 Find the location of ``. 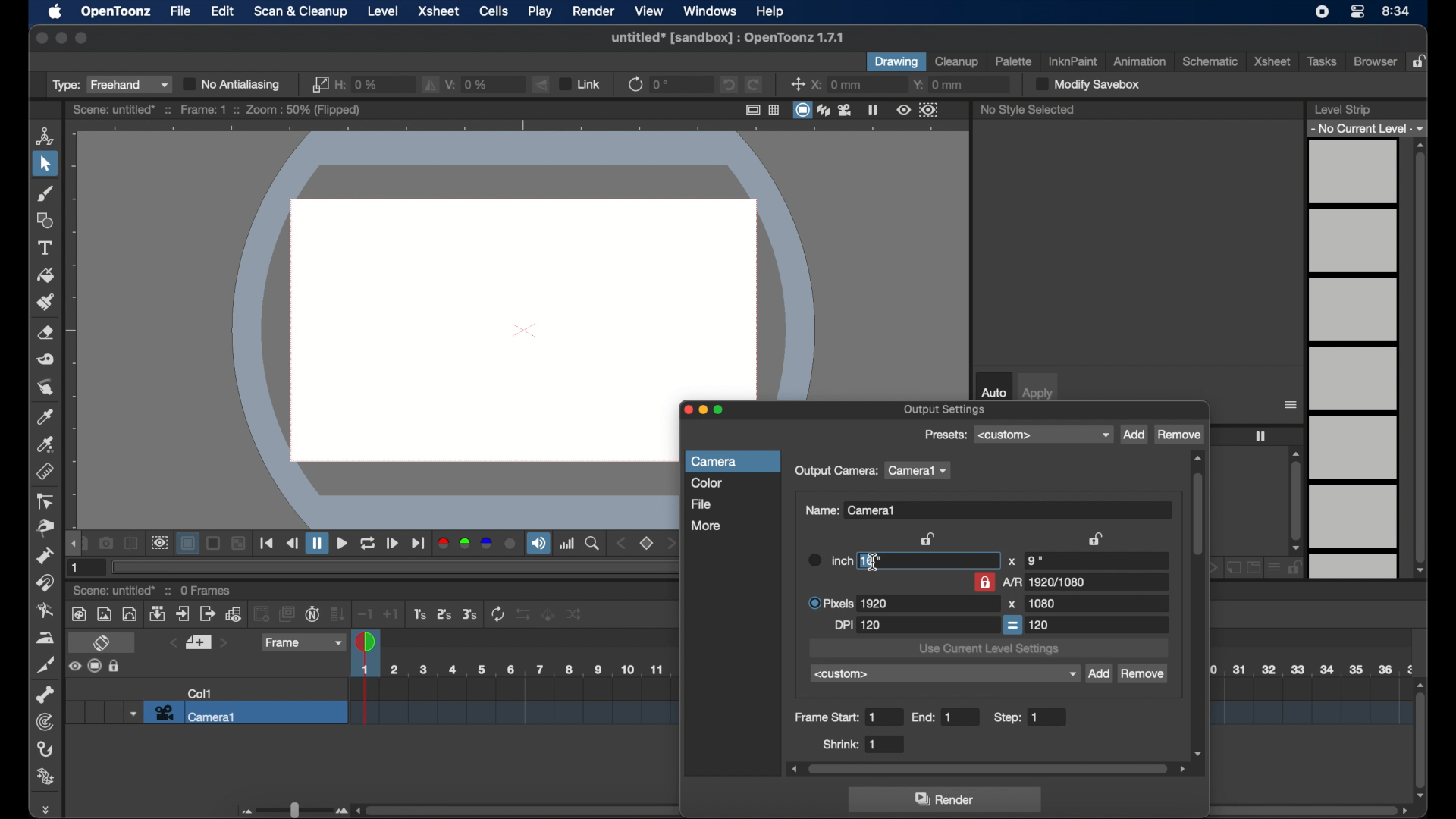

 is located at coordinates (184, 615).